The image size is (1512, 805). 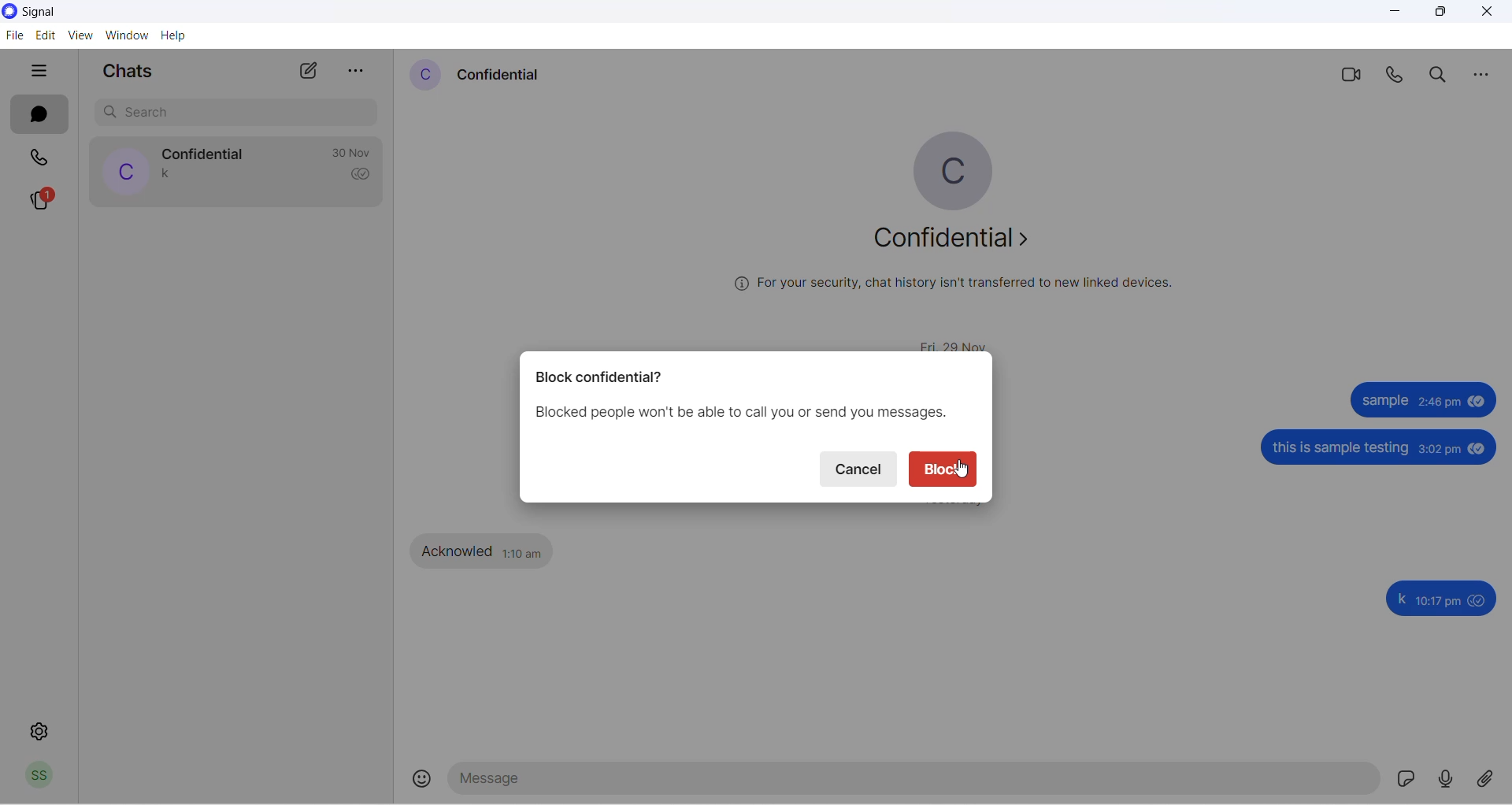 What do you see at coordinates (41, 200) in the screenshot?
I see `stories` at bounding box center [41, 200].